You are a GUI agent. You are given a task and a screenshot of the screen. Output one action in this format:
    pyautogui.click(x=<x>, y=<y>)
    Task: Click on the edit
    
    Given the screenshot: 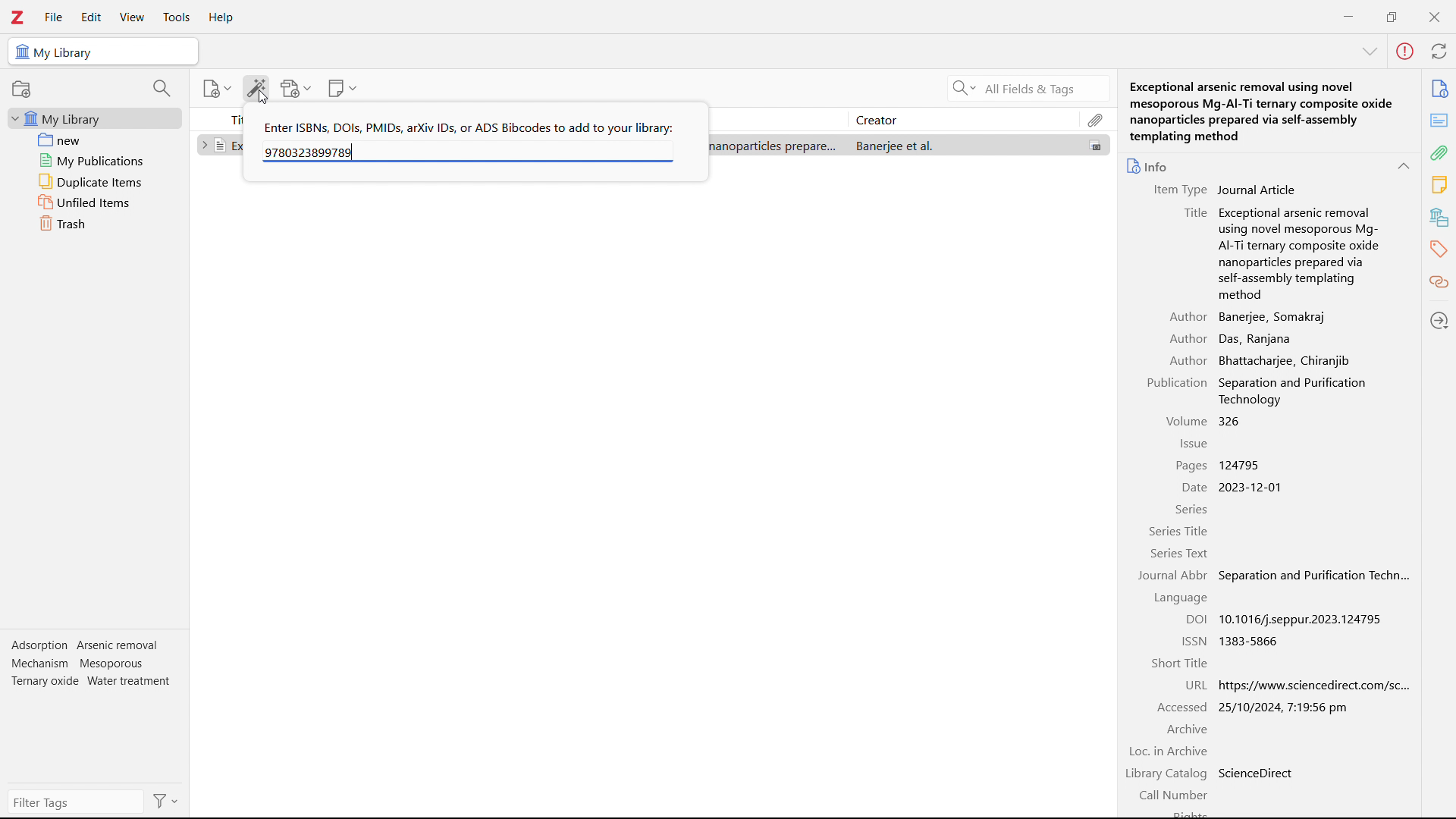 What is the action you would take?
    pyautogui.click(x=91, y=18)
    